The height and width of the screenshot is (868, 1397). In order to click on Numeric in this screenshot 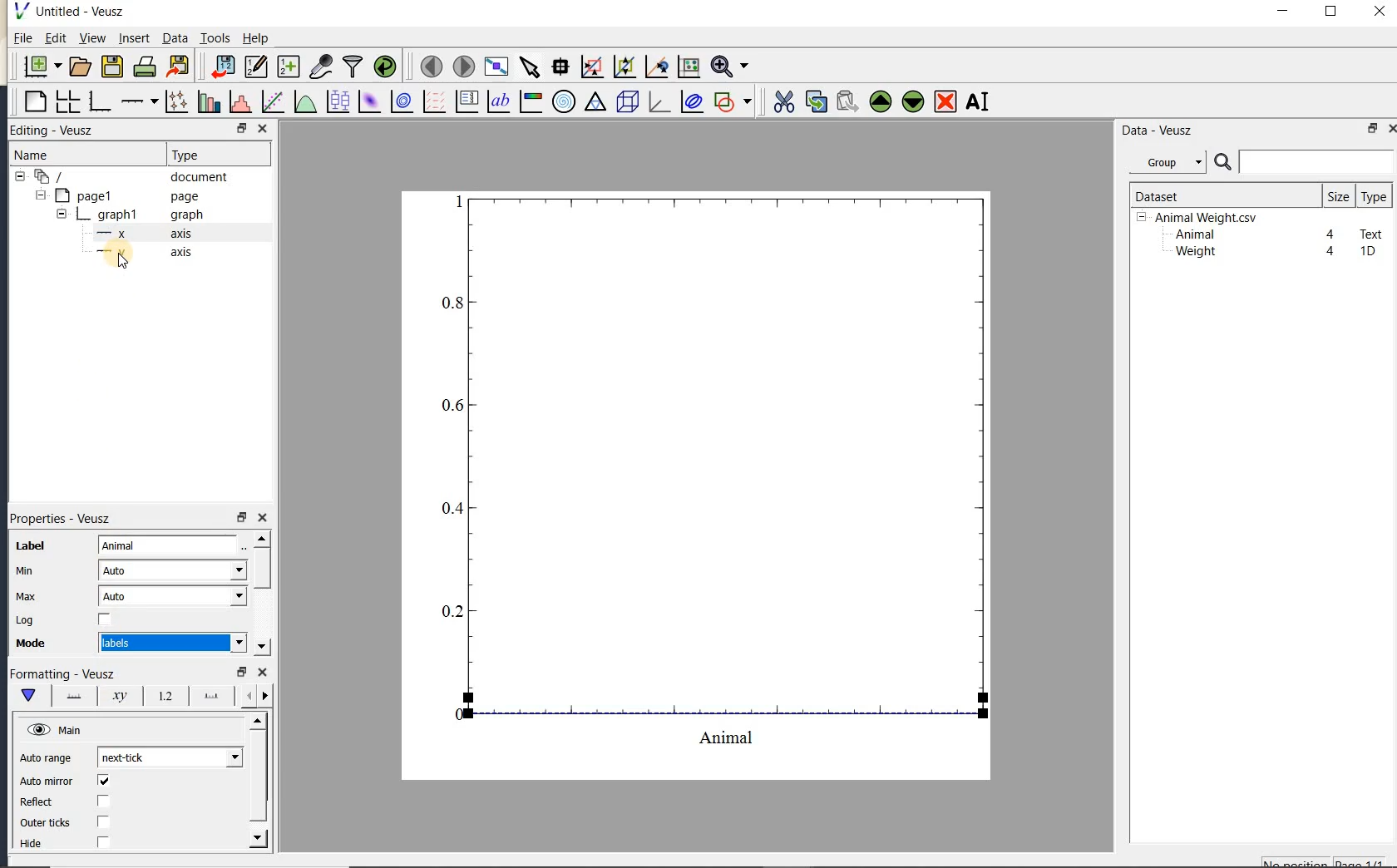, I will do `click(171, 643)`.